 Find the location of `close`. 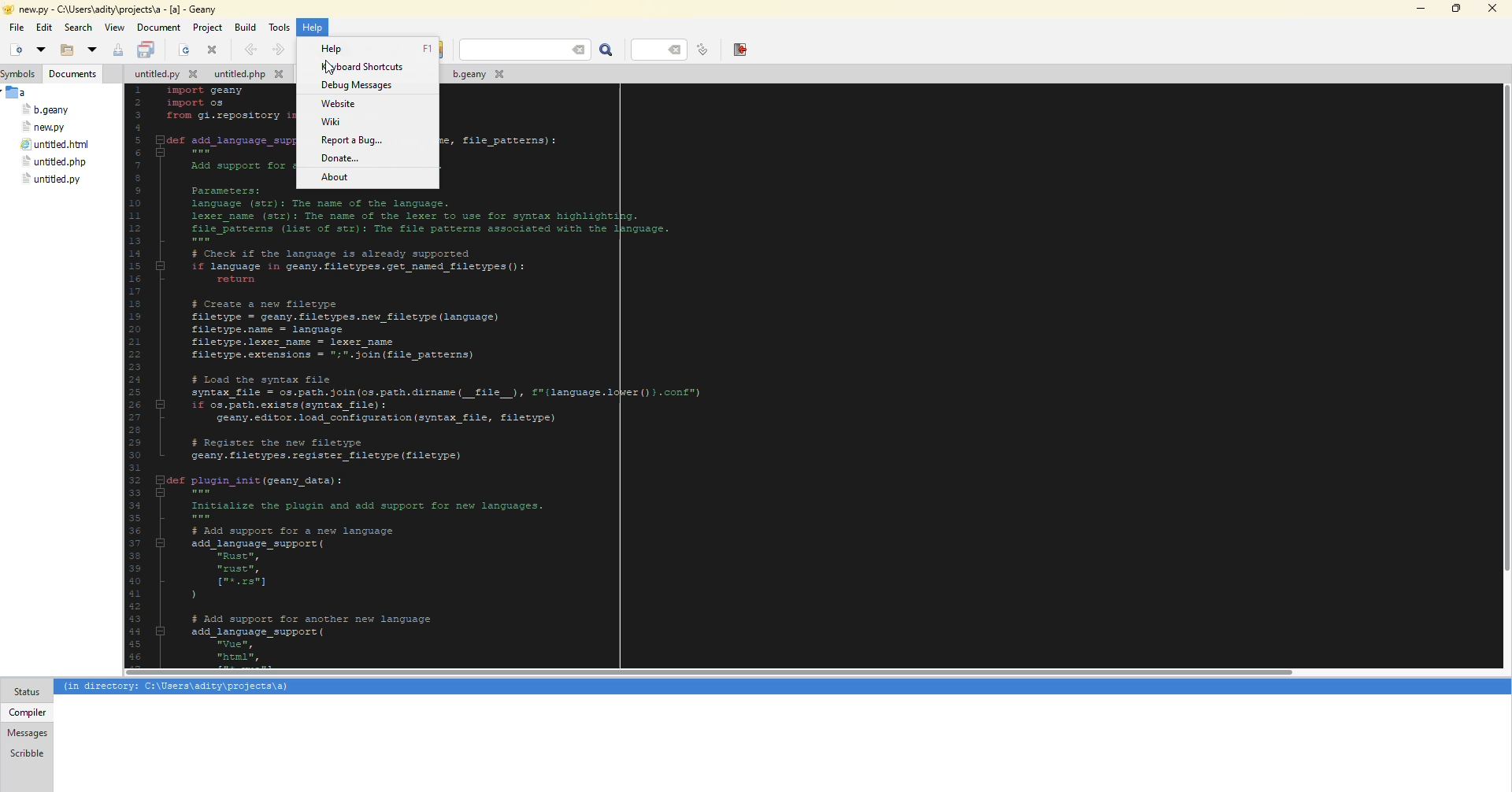

close is located at coordinates (1492, 9).